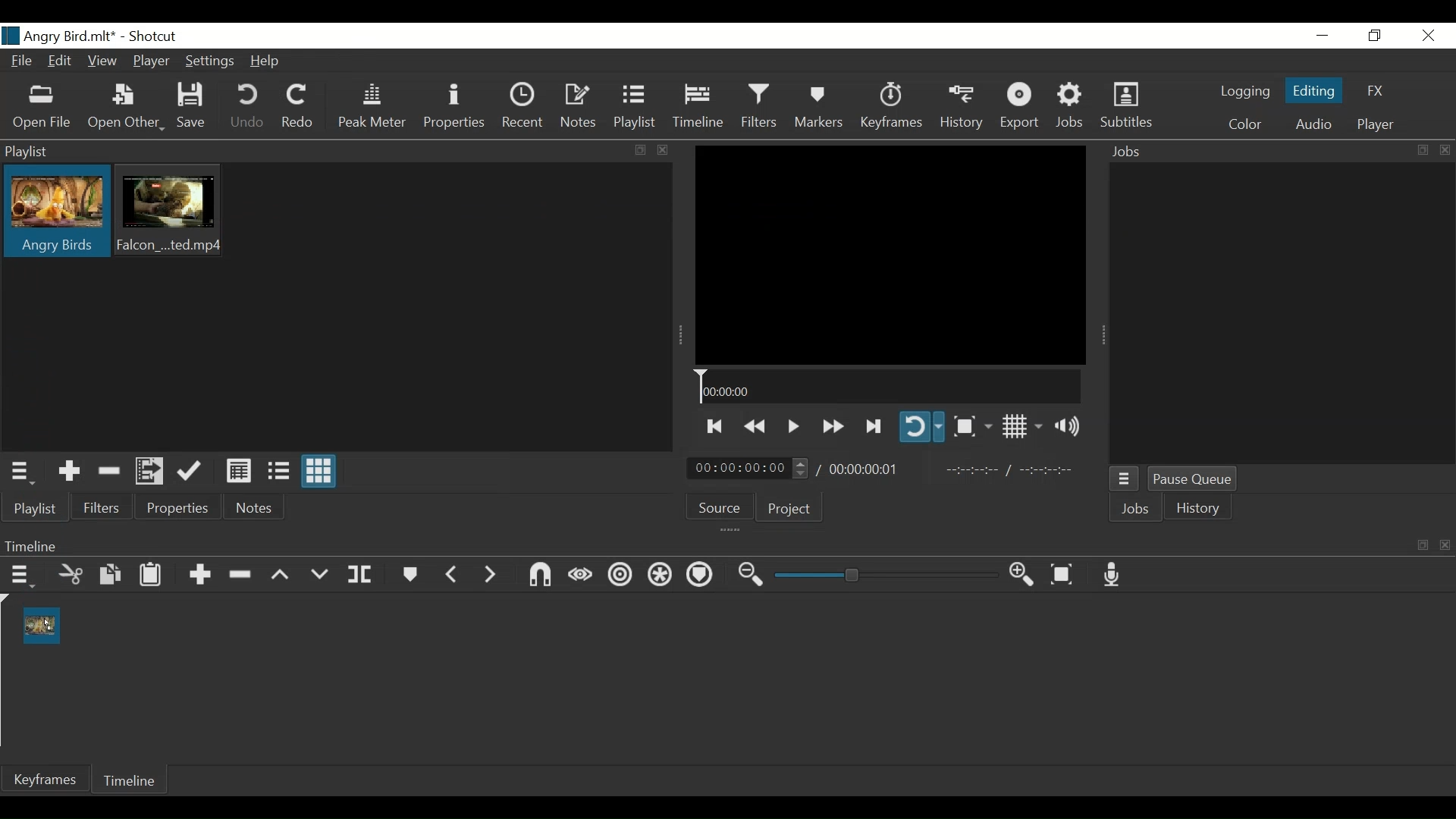  What do you see at coordinates (25, 62) in the screenshot?
I see `File` at bounding box center [25, 62].